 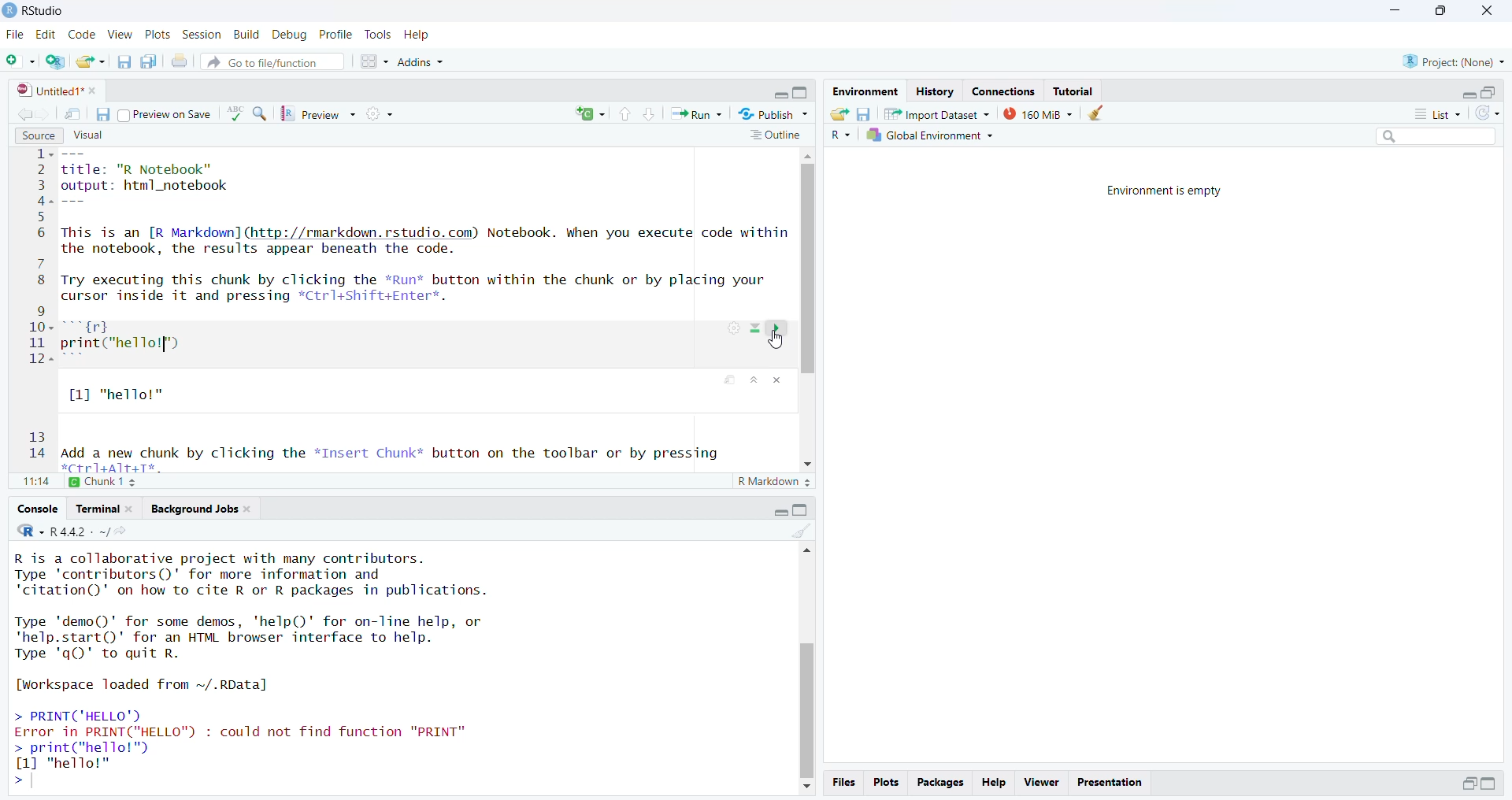 What do you see at coordinates (49, 35) in the screenshot?
I see `edit` at bounding box center [49, 35].